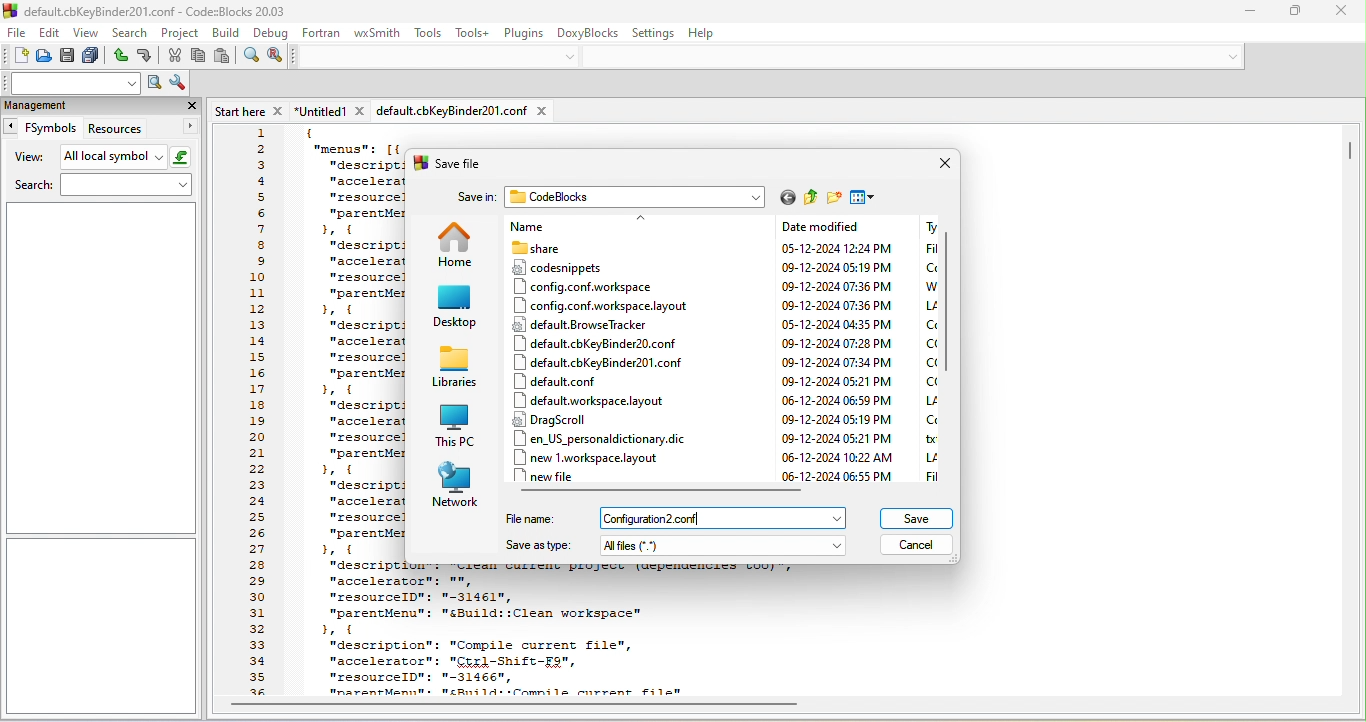 The image size is (1366, 722). I want to click on default workspace layout, so click(587, 401).